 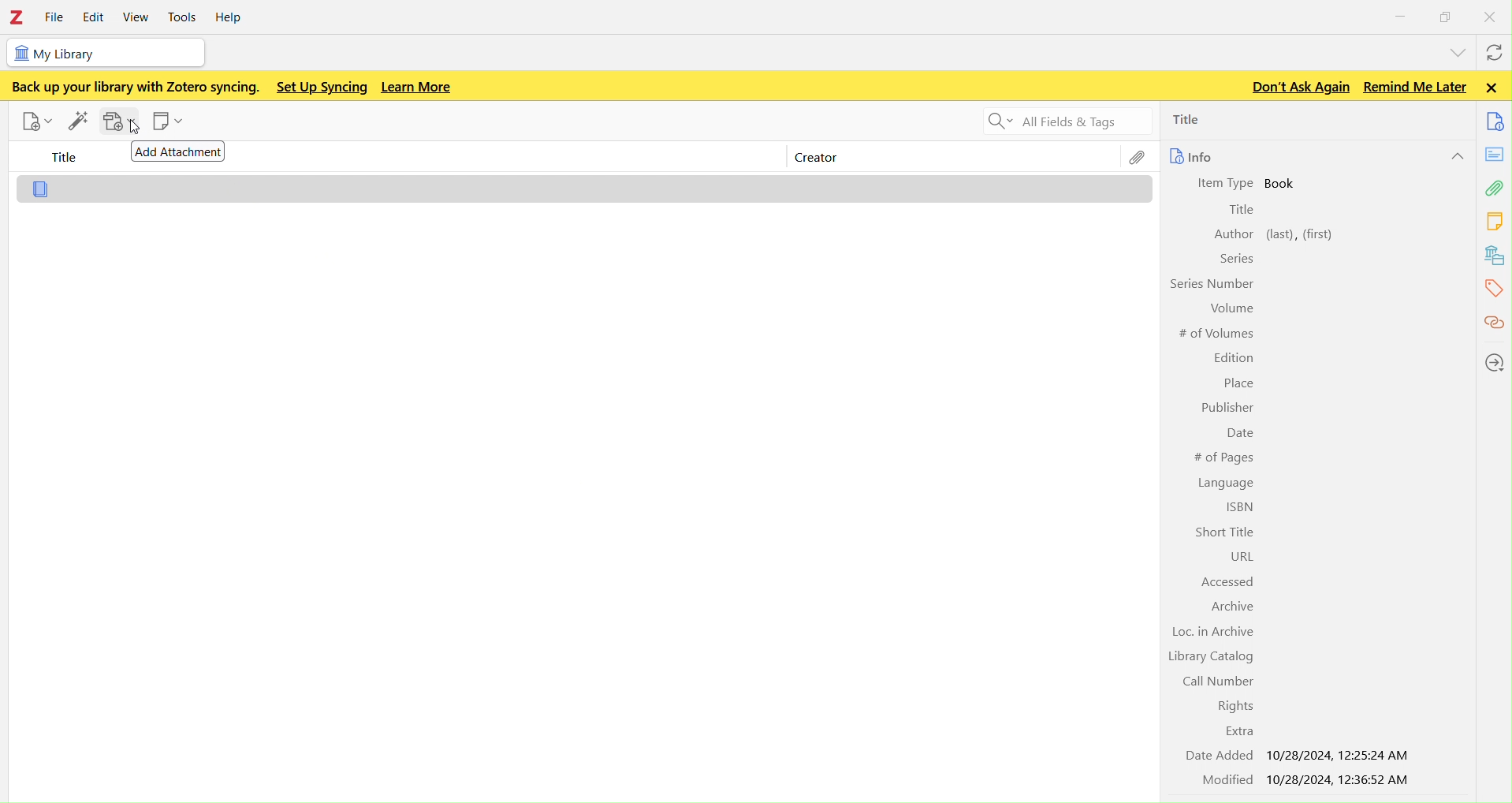 I want to click on library, so click(x=1497, y=256).